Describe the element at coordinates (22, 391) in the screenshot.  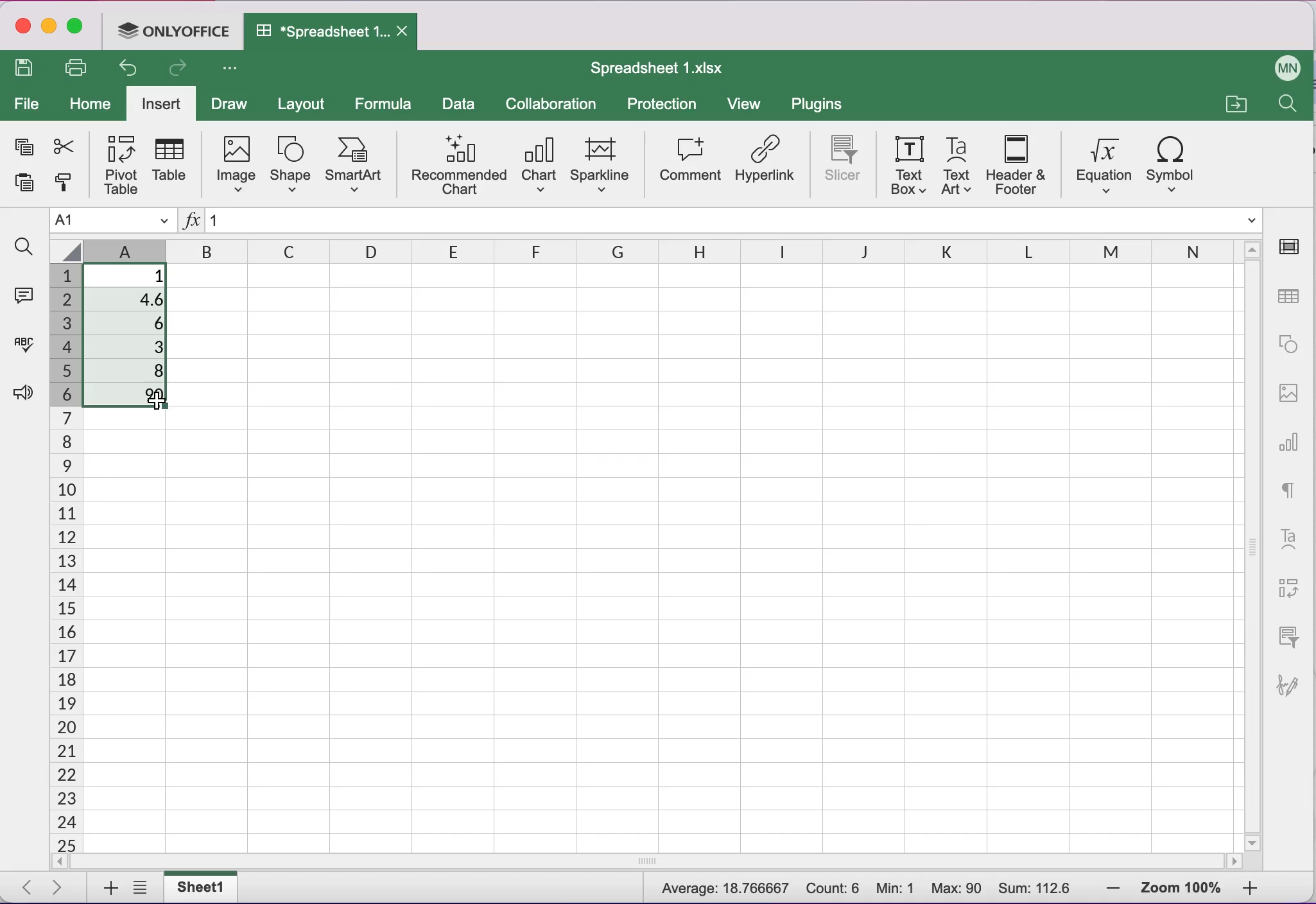
I see `feedback and support` at that location.